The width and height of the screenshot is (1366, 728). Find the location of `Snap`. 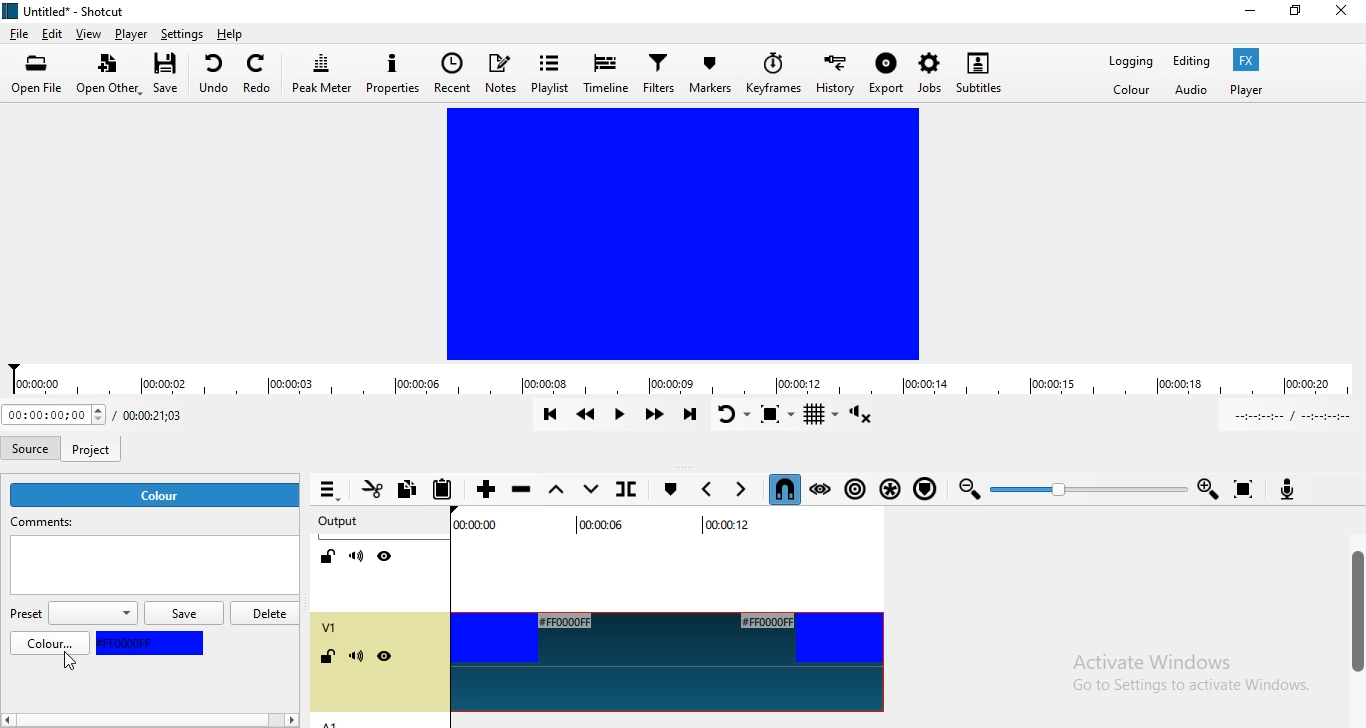

Snap is located at coordinates (782, 489).